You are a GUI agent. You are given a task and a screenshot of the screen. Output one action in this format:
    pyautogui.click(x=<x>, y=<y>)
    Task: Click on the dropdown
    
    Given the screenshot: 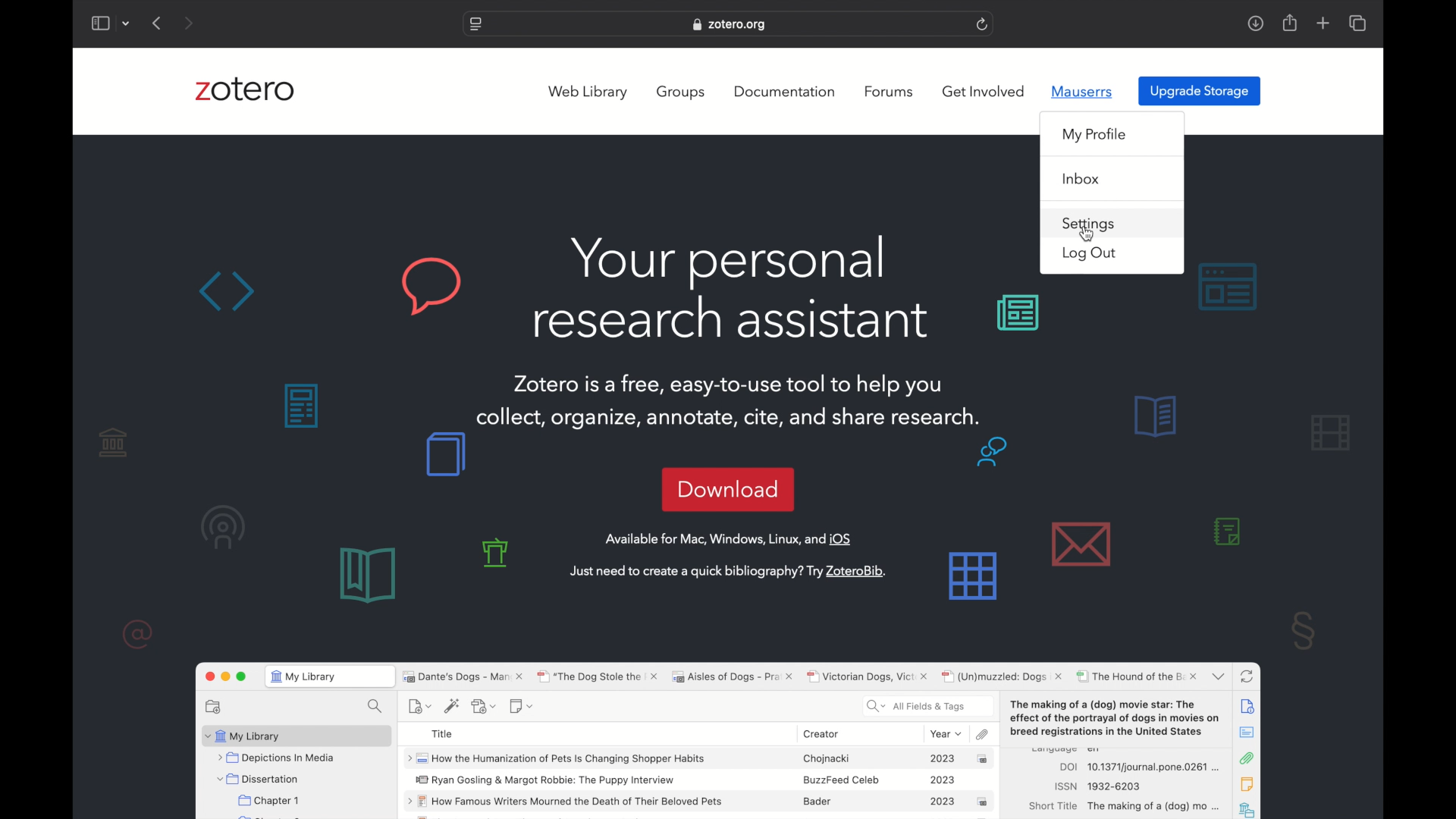 What is the action you would take?
    pyautogui.click(x=127, y=24)
    